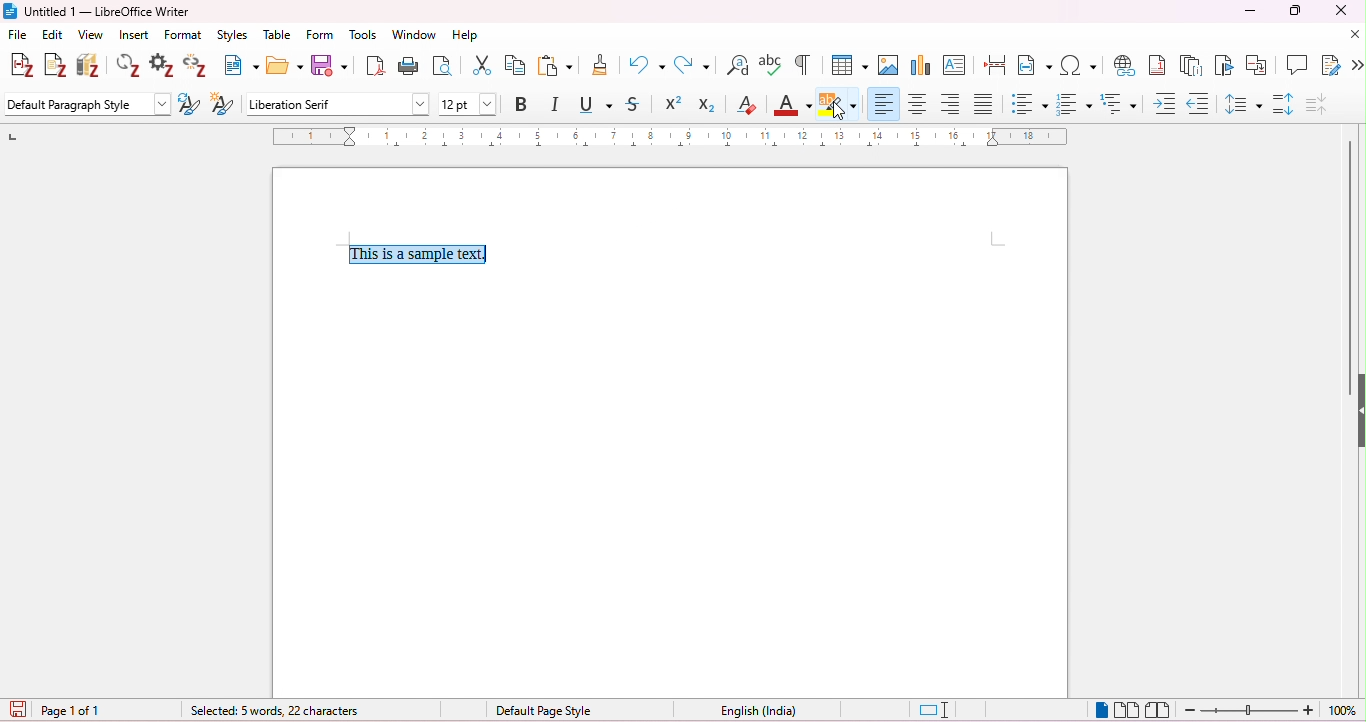  Describe the element at coordinates (1159, 65) in the screenshot. I see `insert foot nore` at that location.